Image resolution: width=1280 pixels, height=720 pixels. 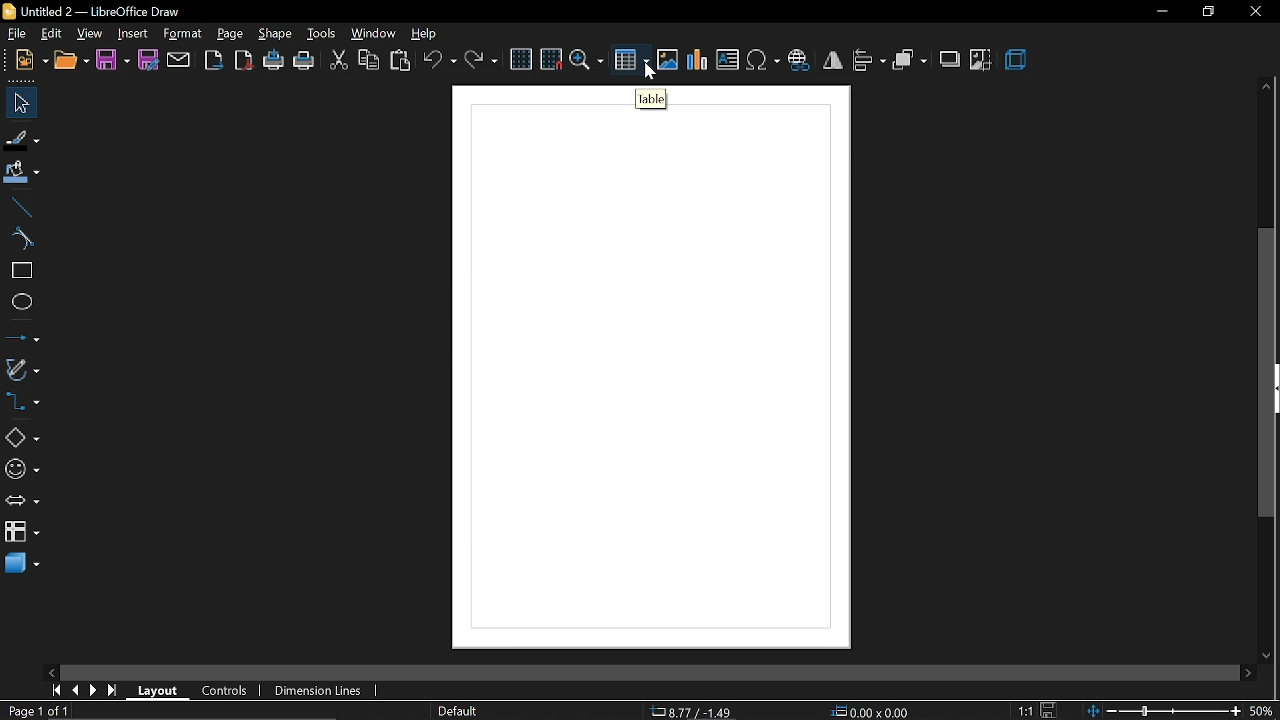 What do you see at coordinates (77, 690) in the screenshot?
I see `previous page` at bounding box center [77, 690].